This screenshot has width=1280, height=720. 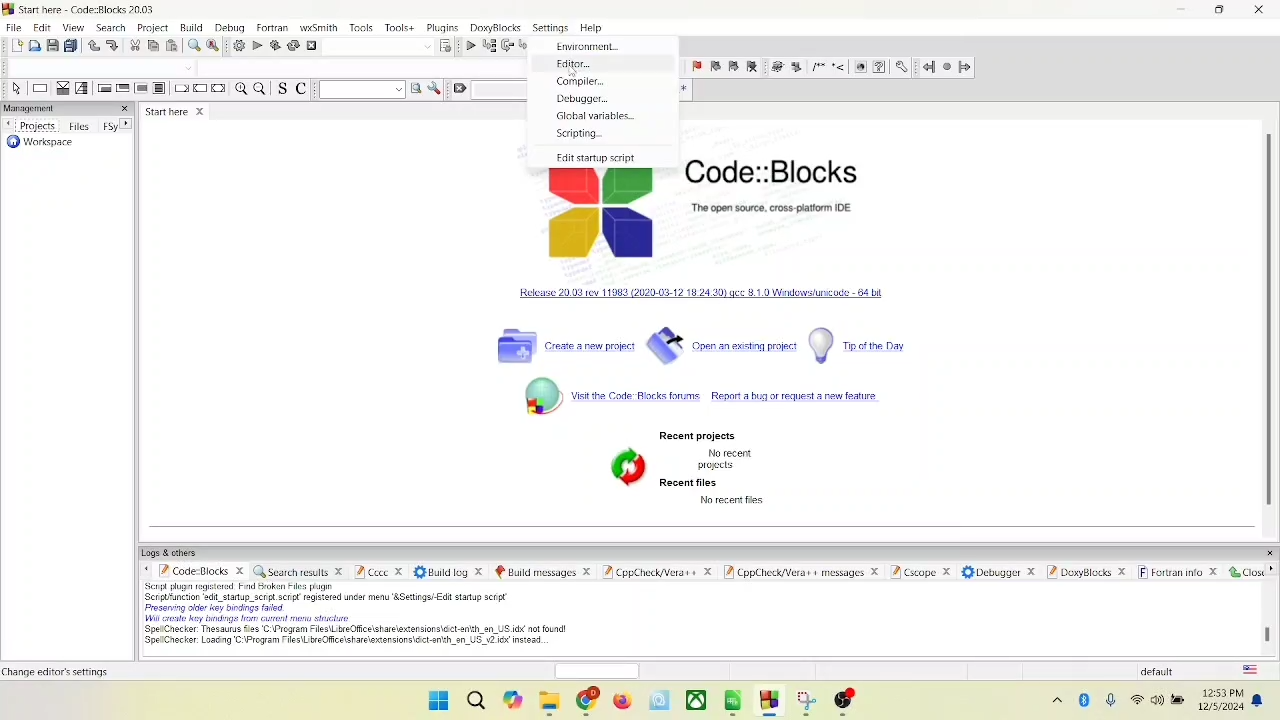 I want to click on settings, so click(x=553, y=28).